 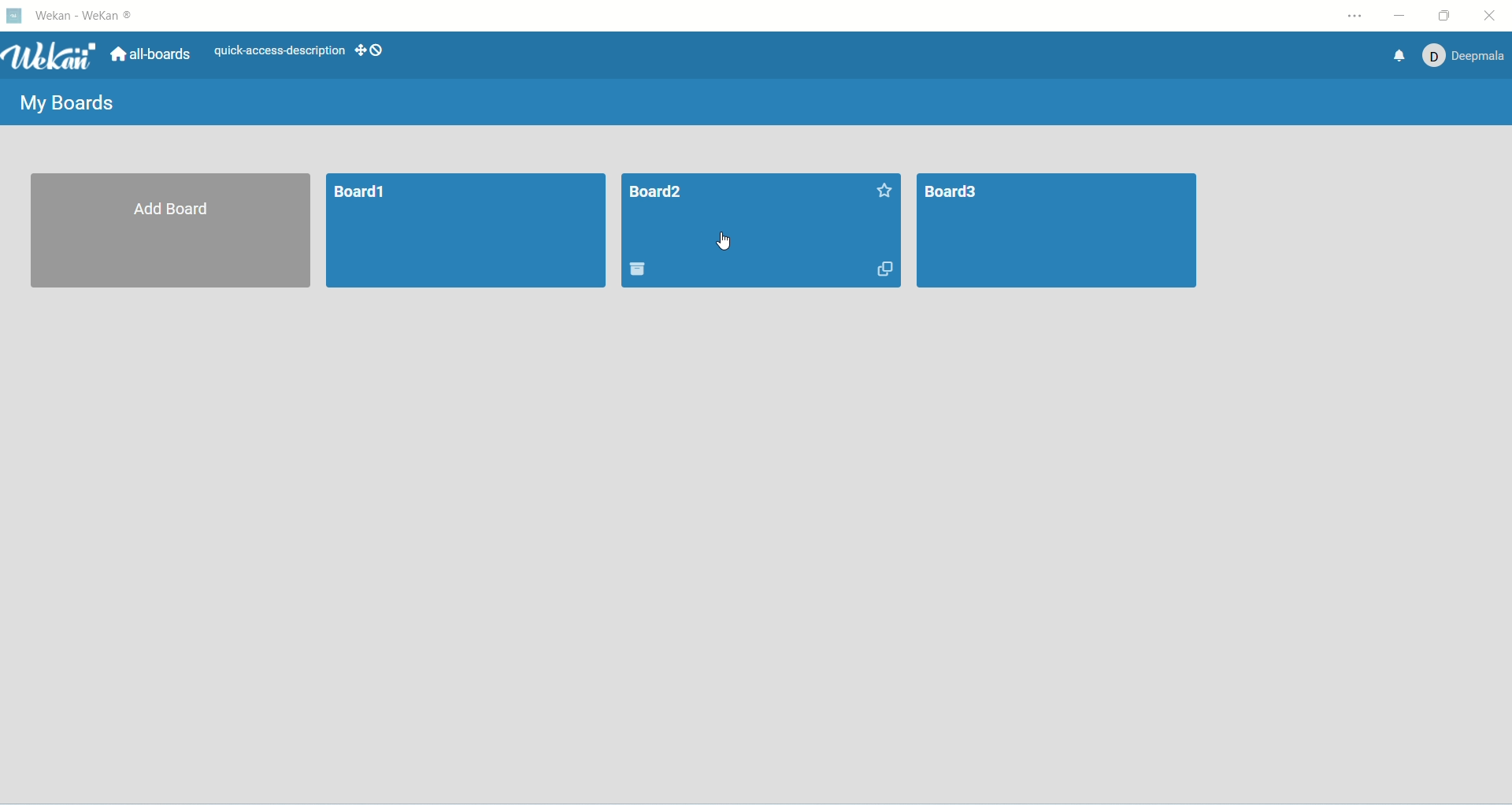 What do you see at coordinates (1442, 16) in the screenshot?
I see `maximize` at bounding box center [1442, 16].